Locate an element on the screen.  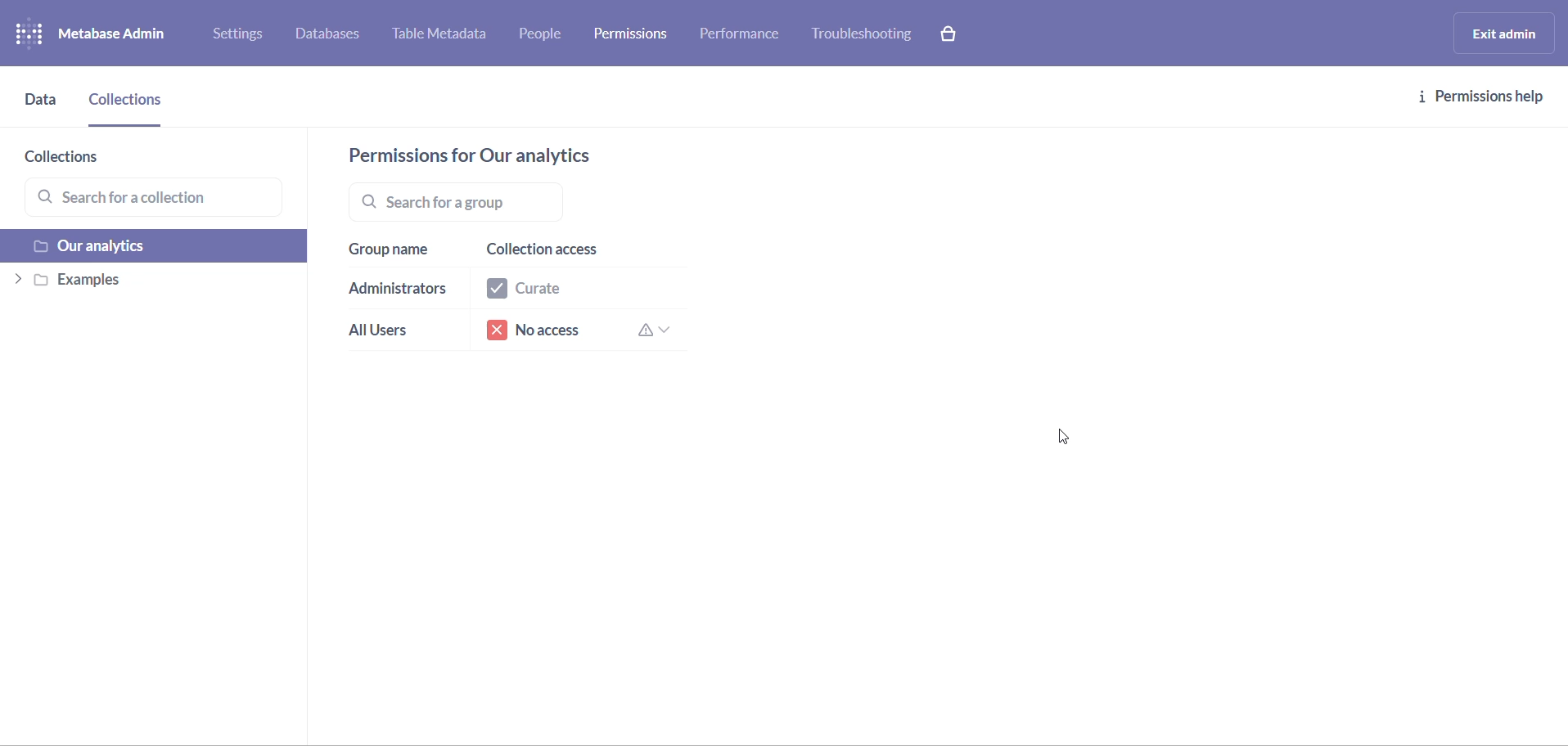
our analytics is located at coordinates (156, 248).